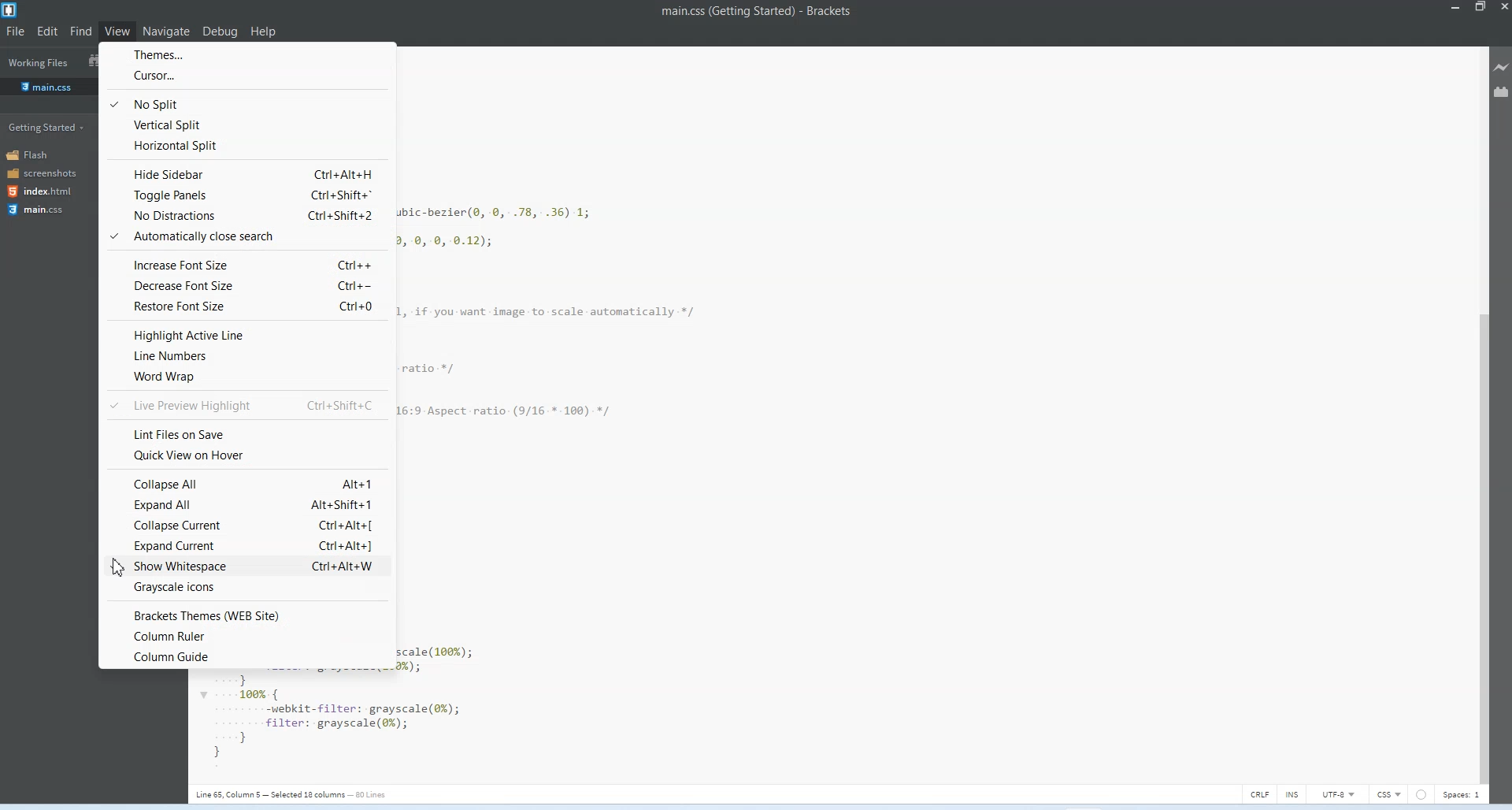 Image resolution: width=1512 pixels, height=810 pixels. What do you see at coordinates (246, 504) in the screenshot?
I see `Expand all` at bounding box center [246, 504].